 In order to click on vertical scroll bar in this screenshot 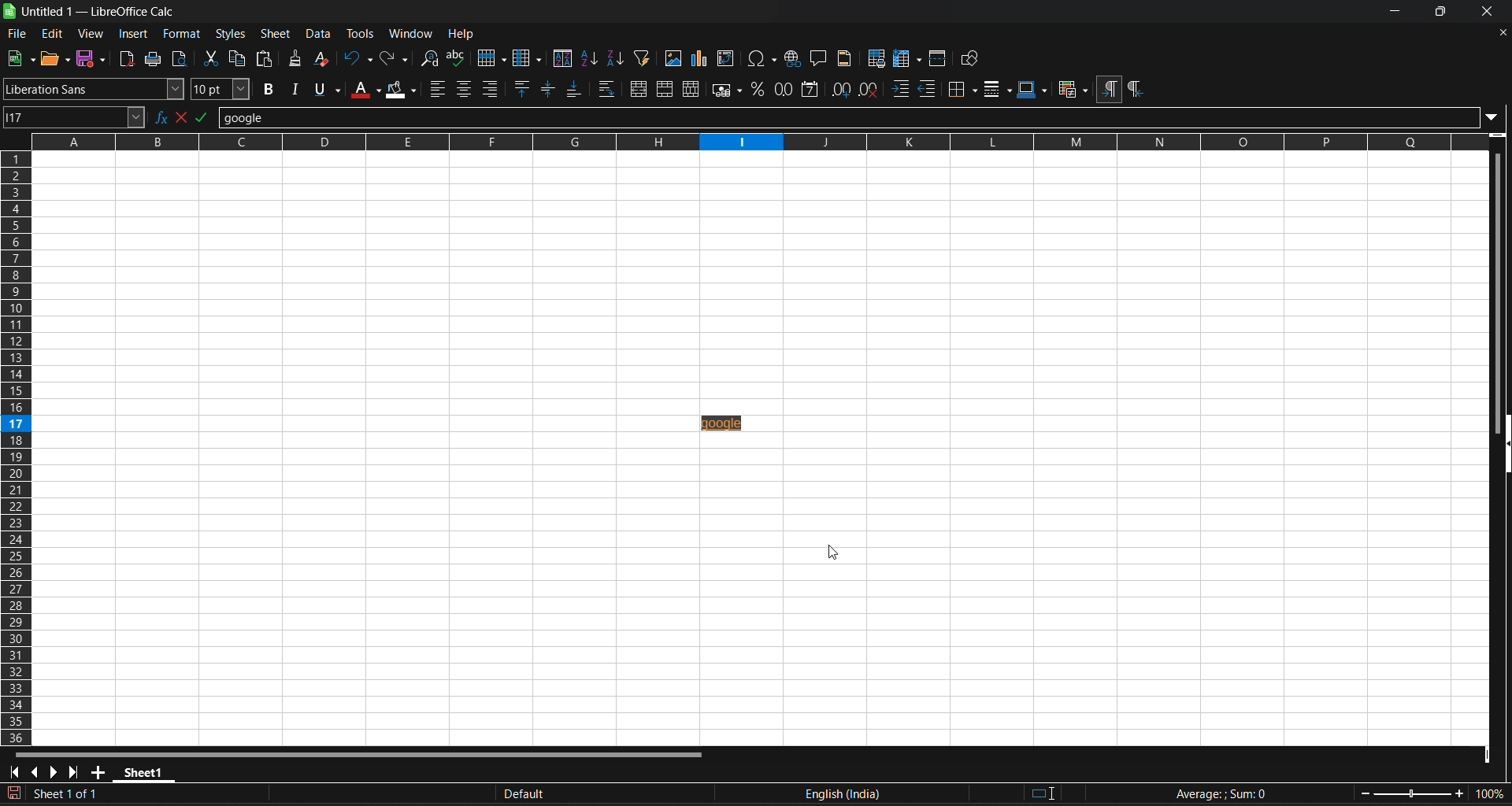, I will do `click(1503, 278)`.